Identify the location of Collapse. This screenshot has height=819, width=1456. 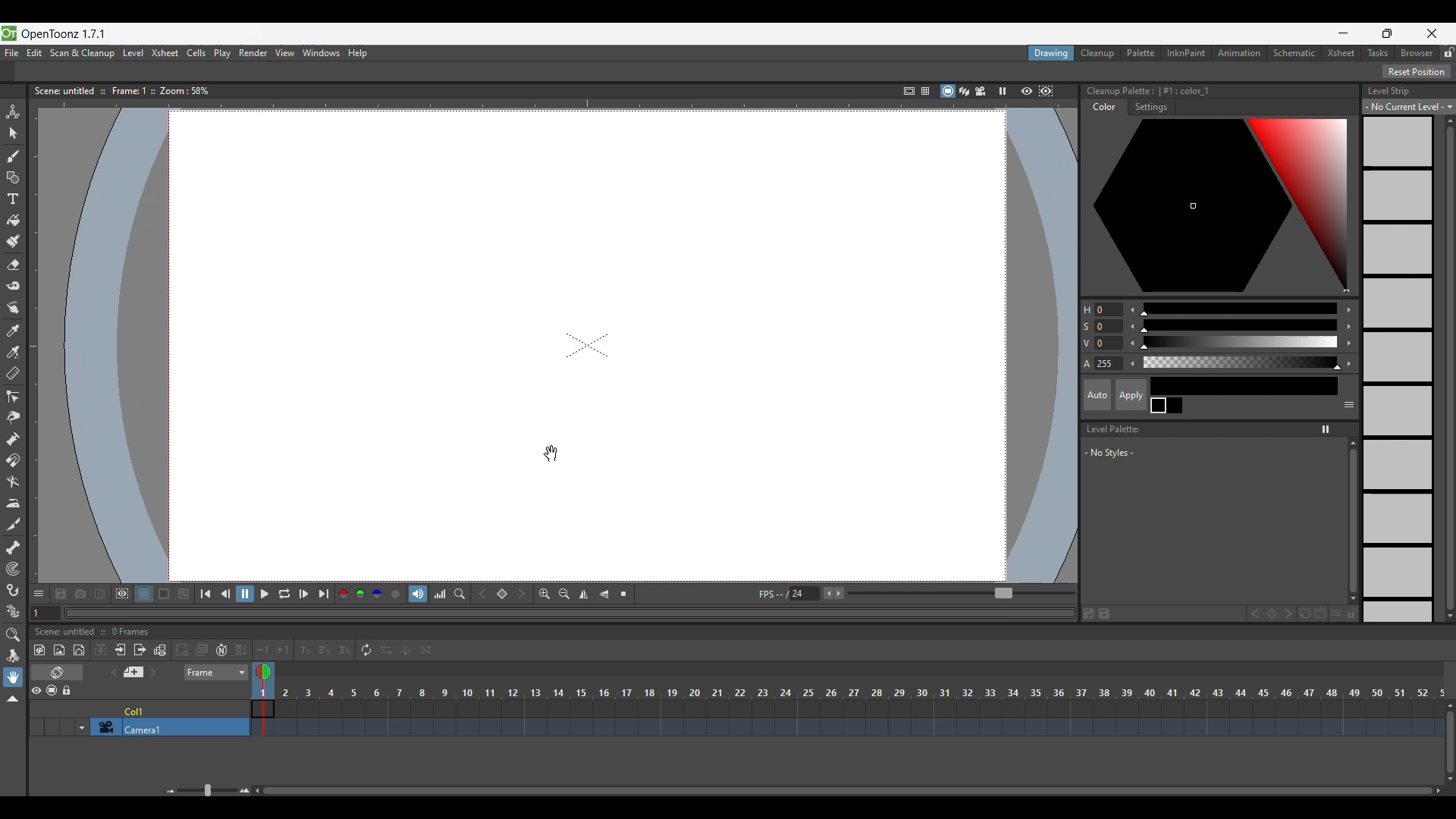
(100, 650).